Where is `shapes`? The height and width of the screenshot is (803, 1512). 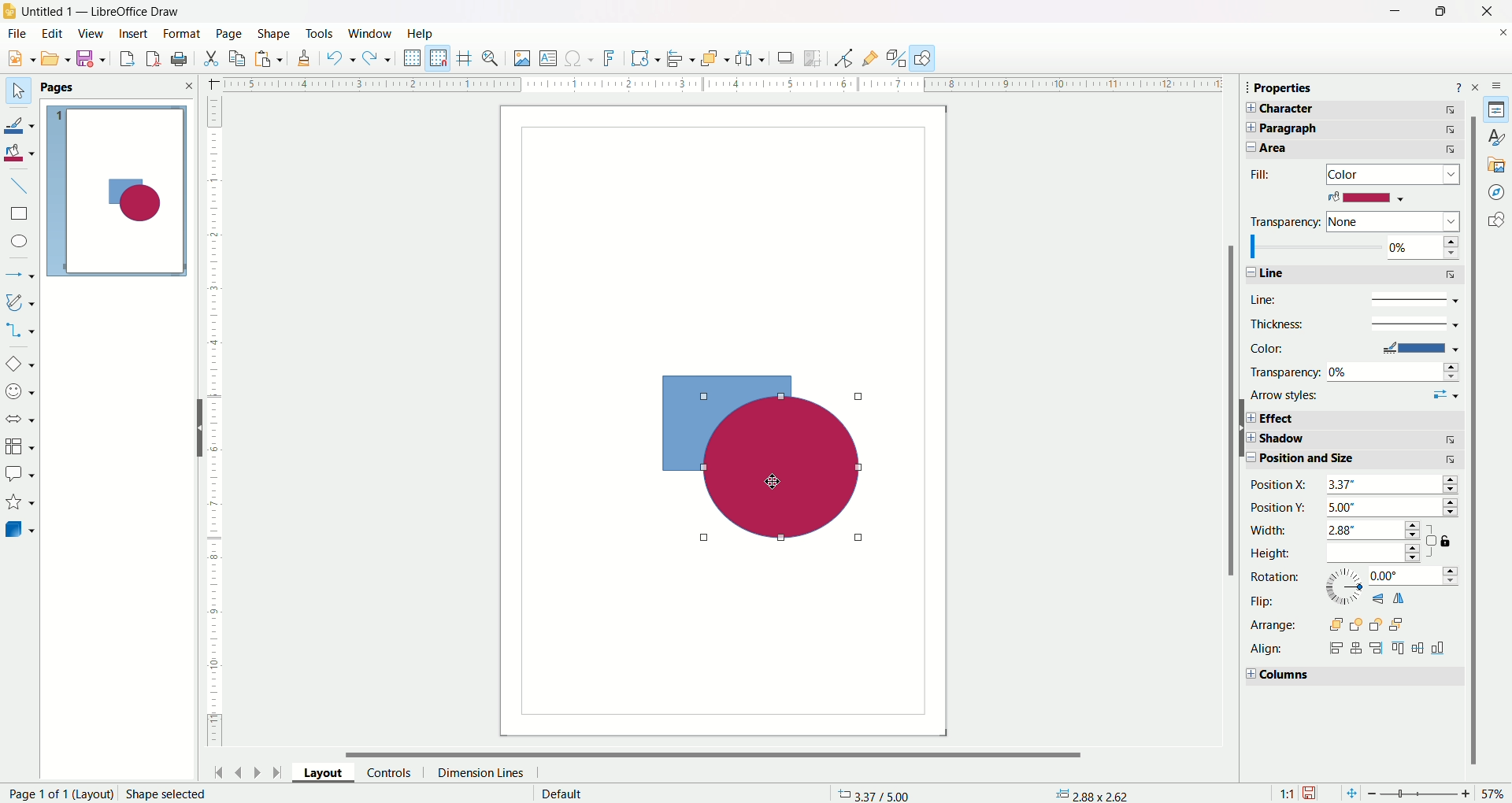 shapes is located at coordinates (1494, 220).